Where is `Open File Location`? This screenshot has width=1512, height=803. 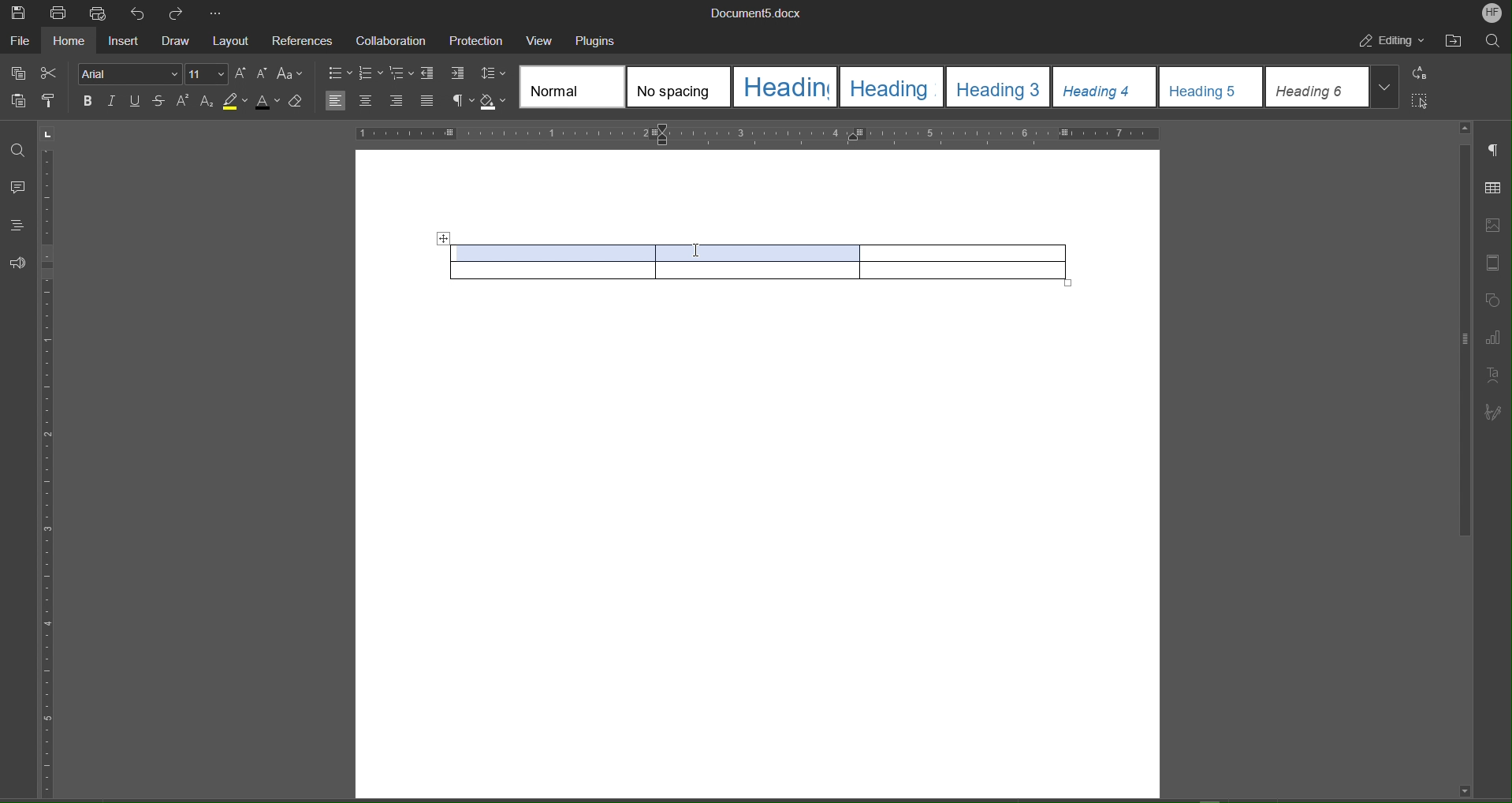 Open File Location is located at coordinates (1456, 42).